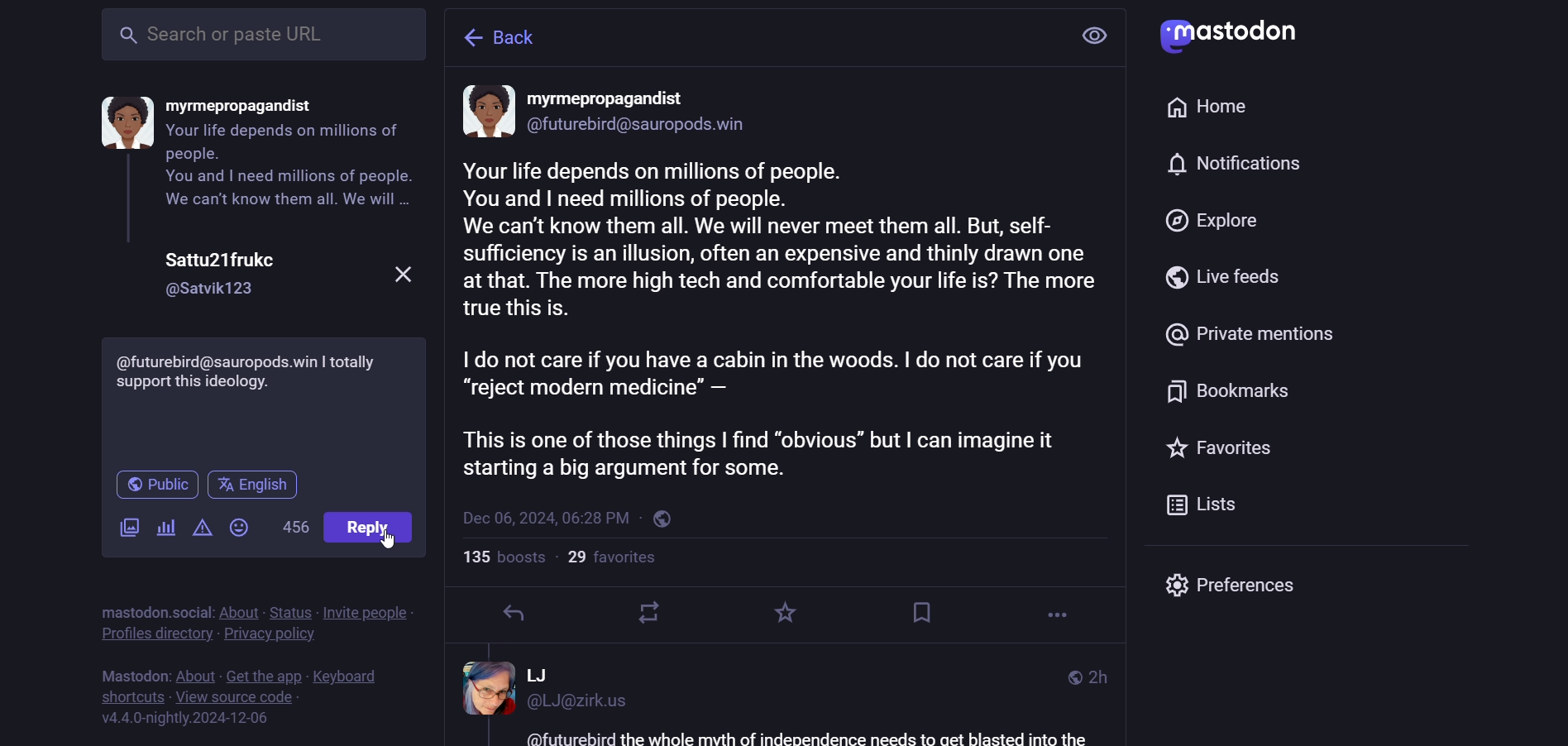 The height and width of the screenshot is (746, 1568). Describe the element at coordinates (789, 613) in the screenshot. I see `favorite` at that location.